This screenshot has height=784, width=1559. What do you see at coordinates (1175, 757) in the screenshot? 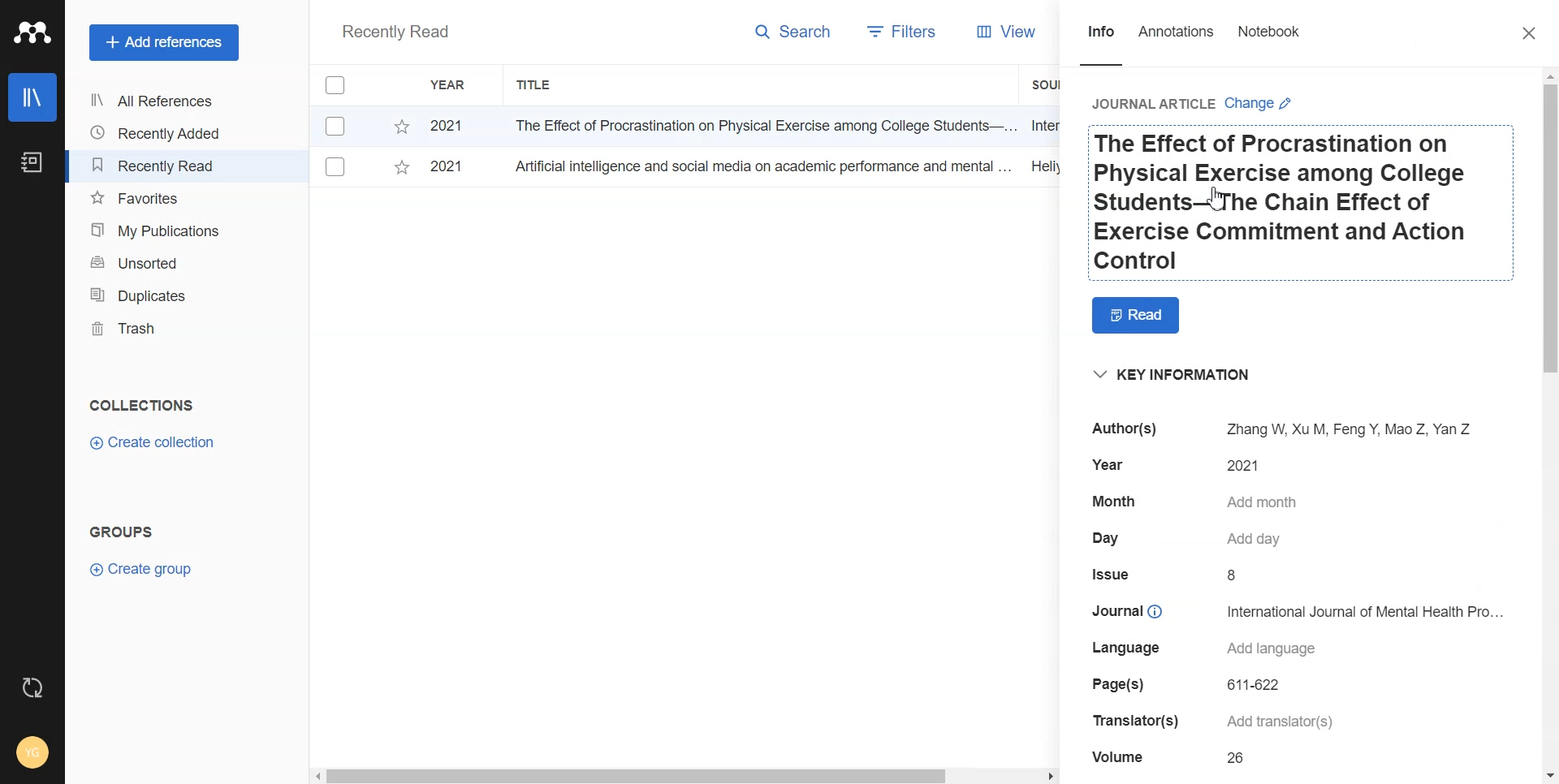
I see `Volume 26` at bounding box center [1175, 757].